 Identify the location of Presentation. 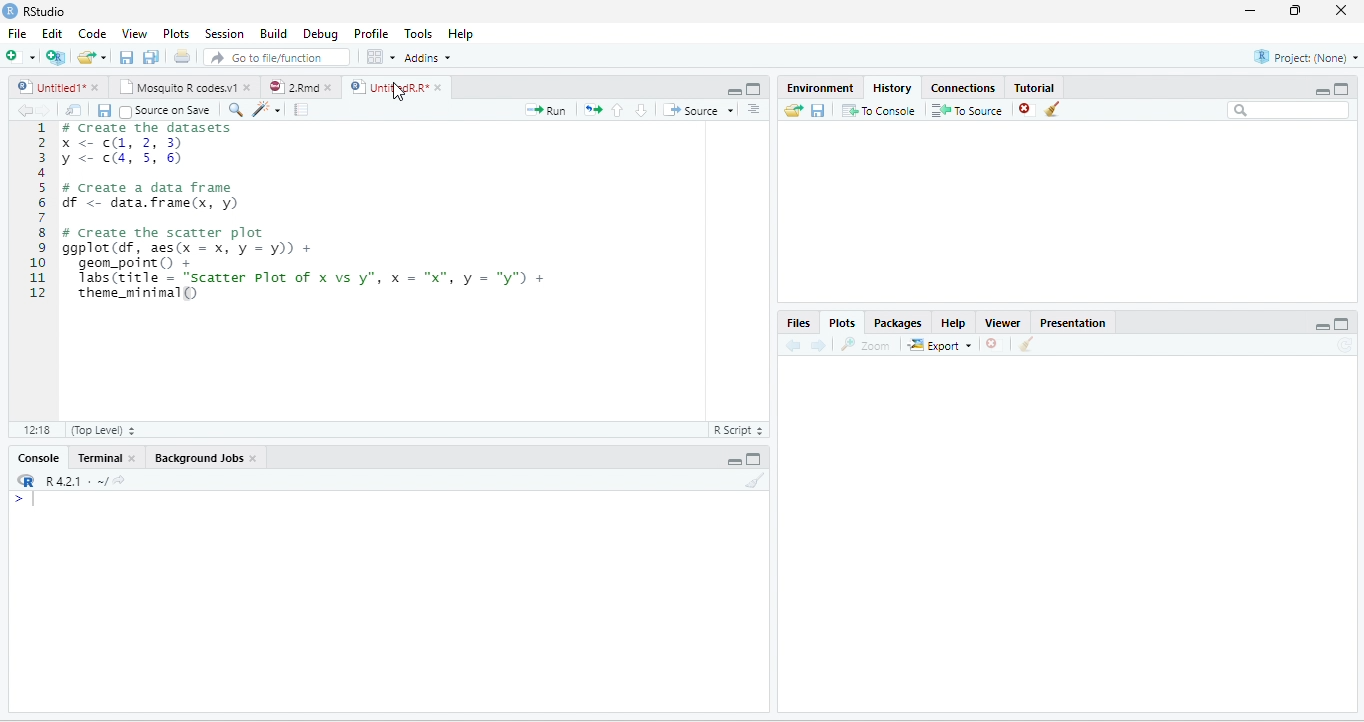
(1073, 322).